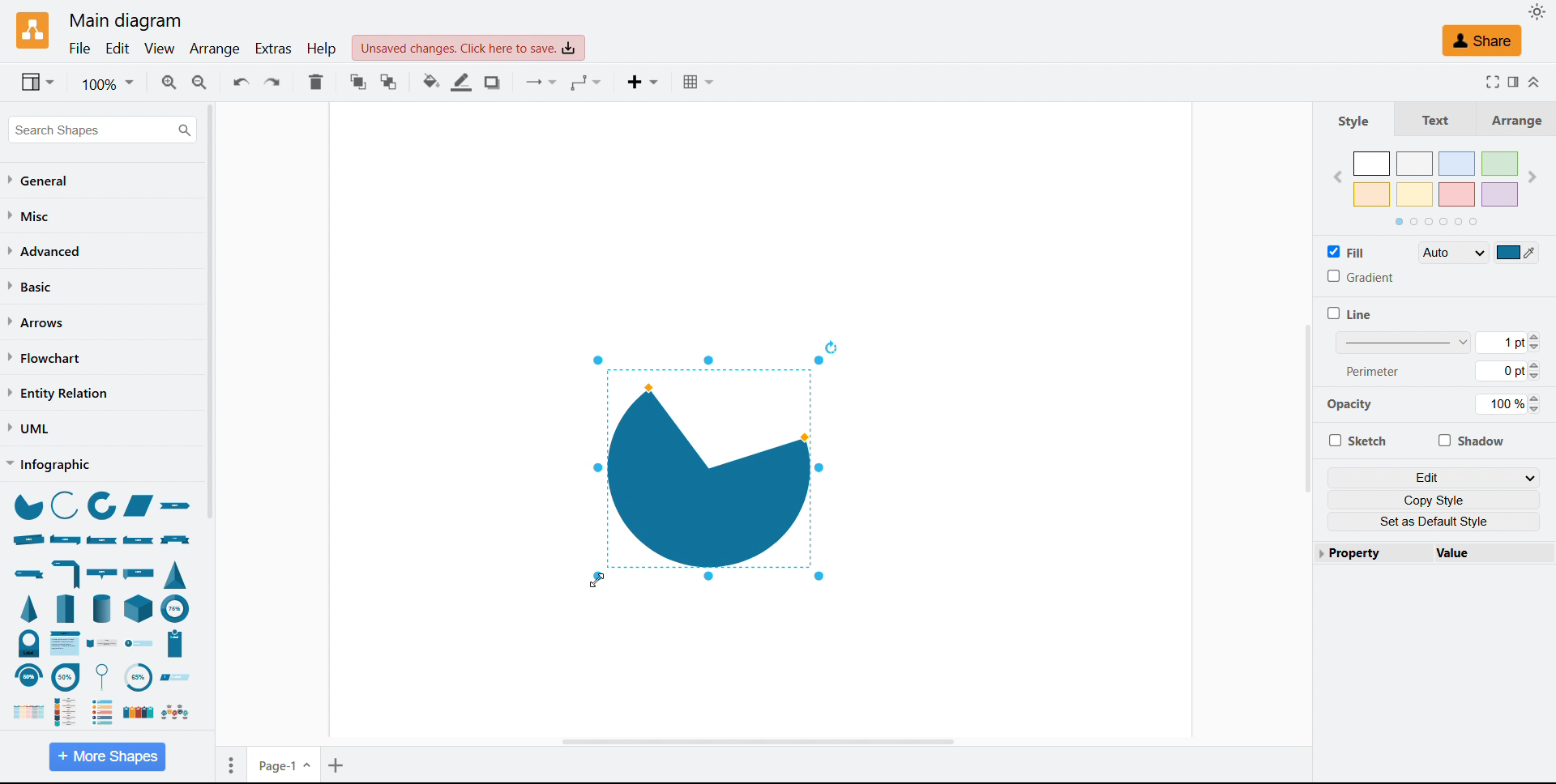 This screenshot has height=784, width=1556. Describe the element at coordinates (140, 607) in the screenshot. I see `cube` at that location.